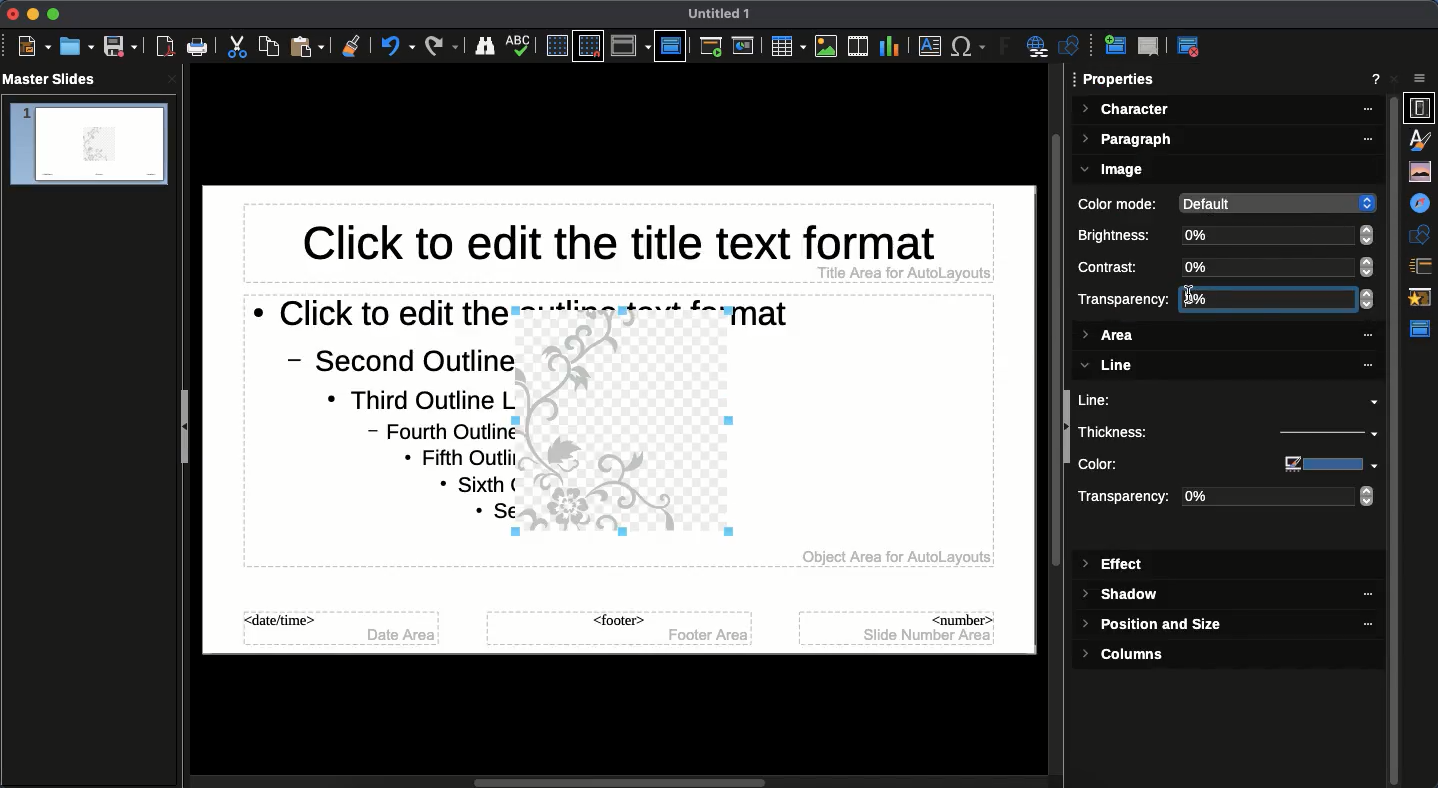 The height and width of the screenshot is (788, 1438). What do you see at coordinates (1127, 499) in the screenshot?
I see `Transparency` at bounding box center [1127, 499].